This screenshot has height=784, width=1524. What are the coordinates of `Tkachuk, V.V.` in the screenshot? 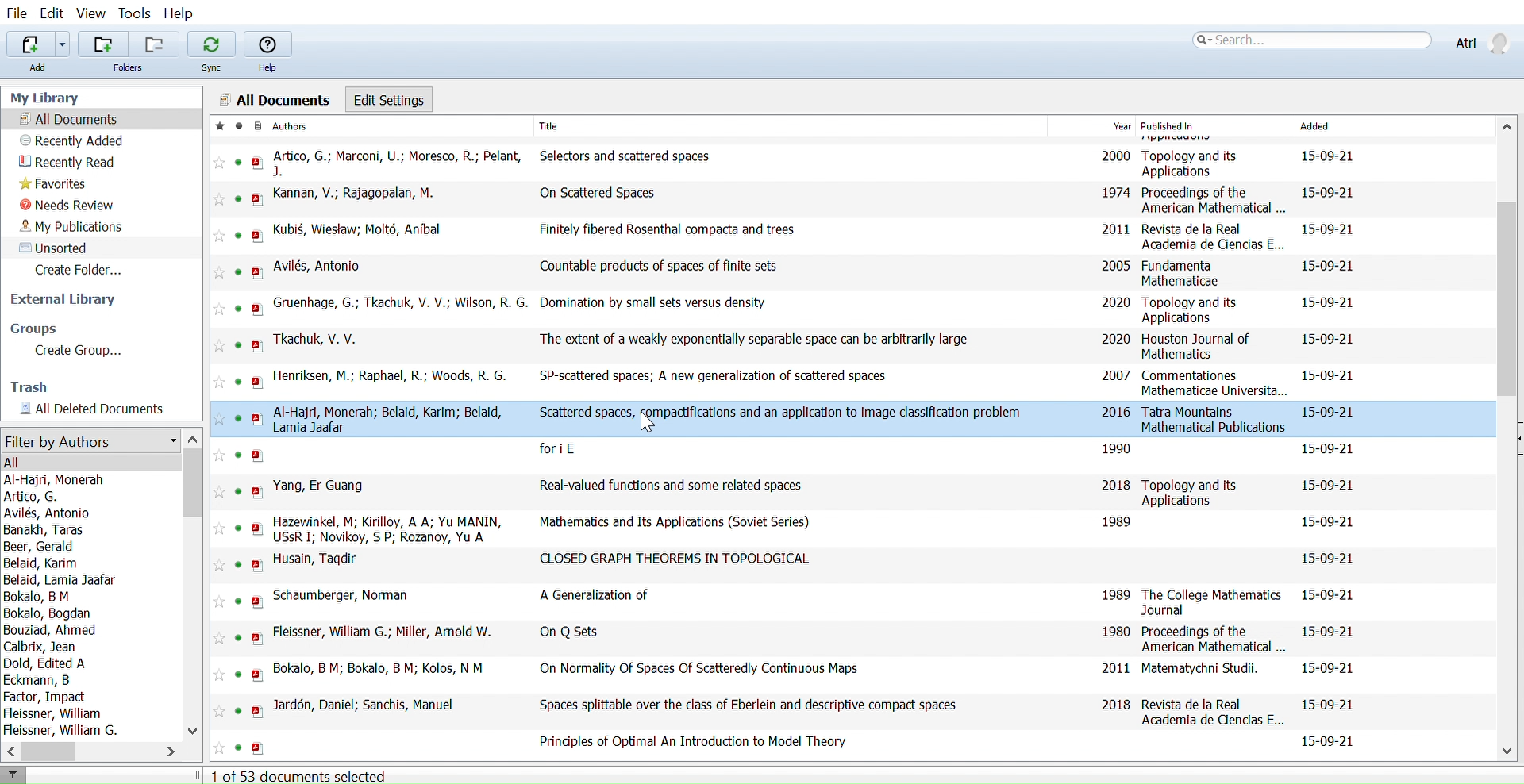 It's located at (321, 338).